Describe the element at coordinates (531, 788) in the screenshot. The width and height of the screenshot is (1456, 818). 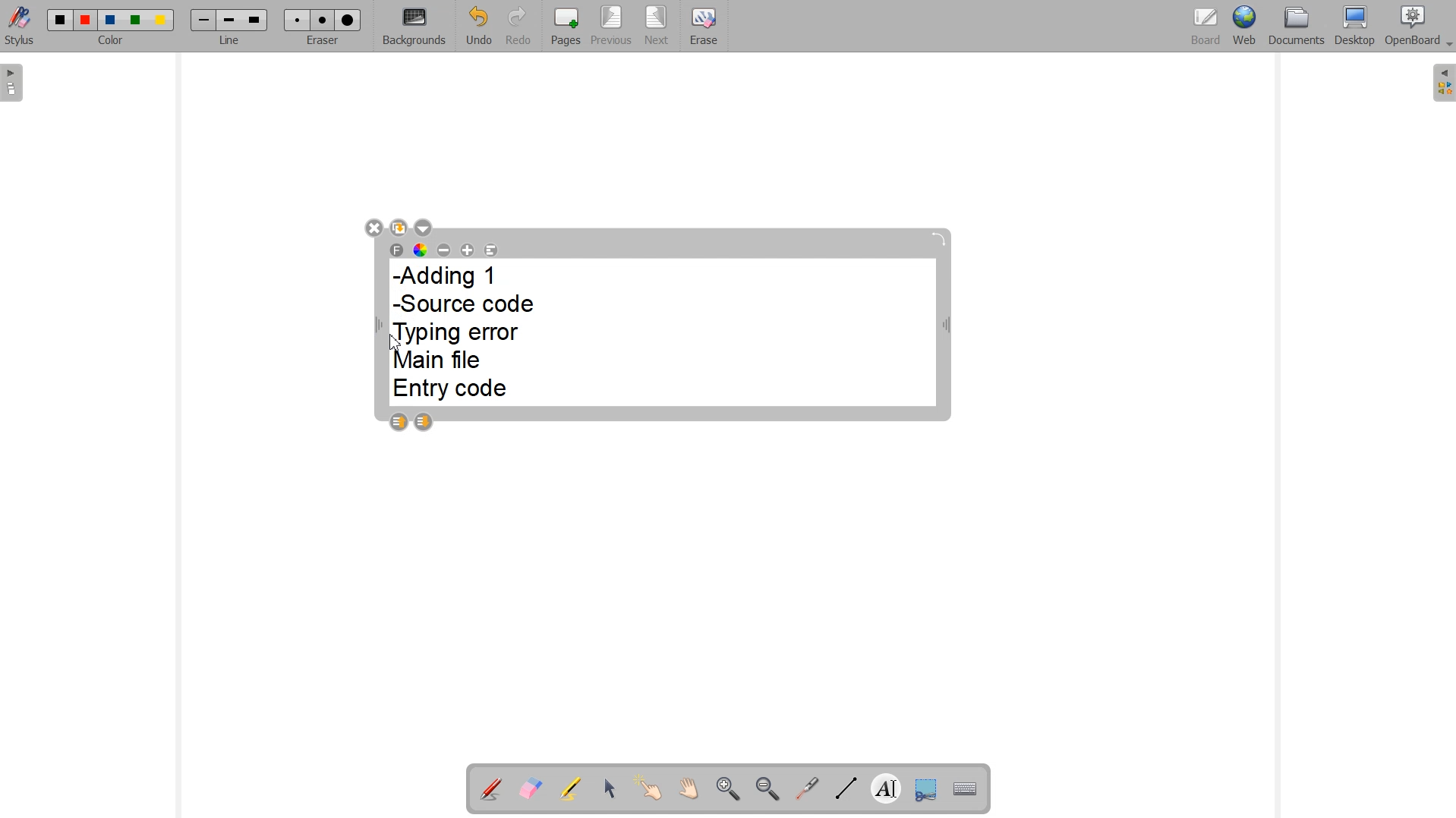
I see `Erase annotation` at that location.